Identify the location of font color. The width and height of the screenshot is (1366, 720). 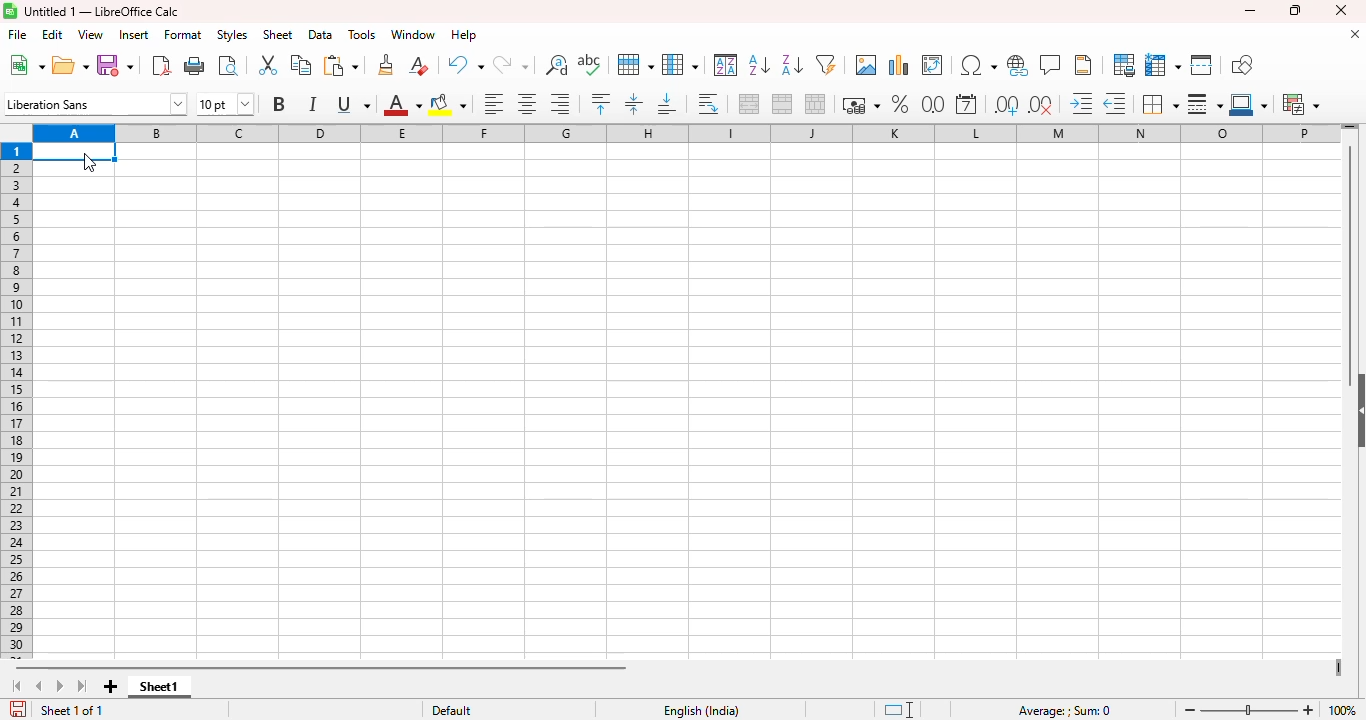
(402, 104).